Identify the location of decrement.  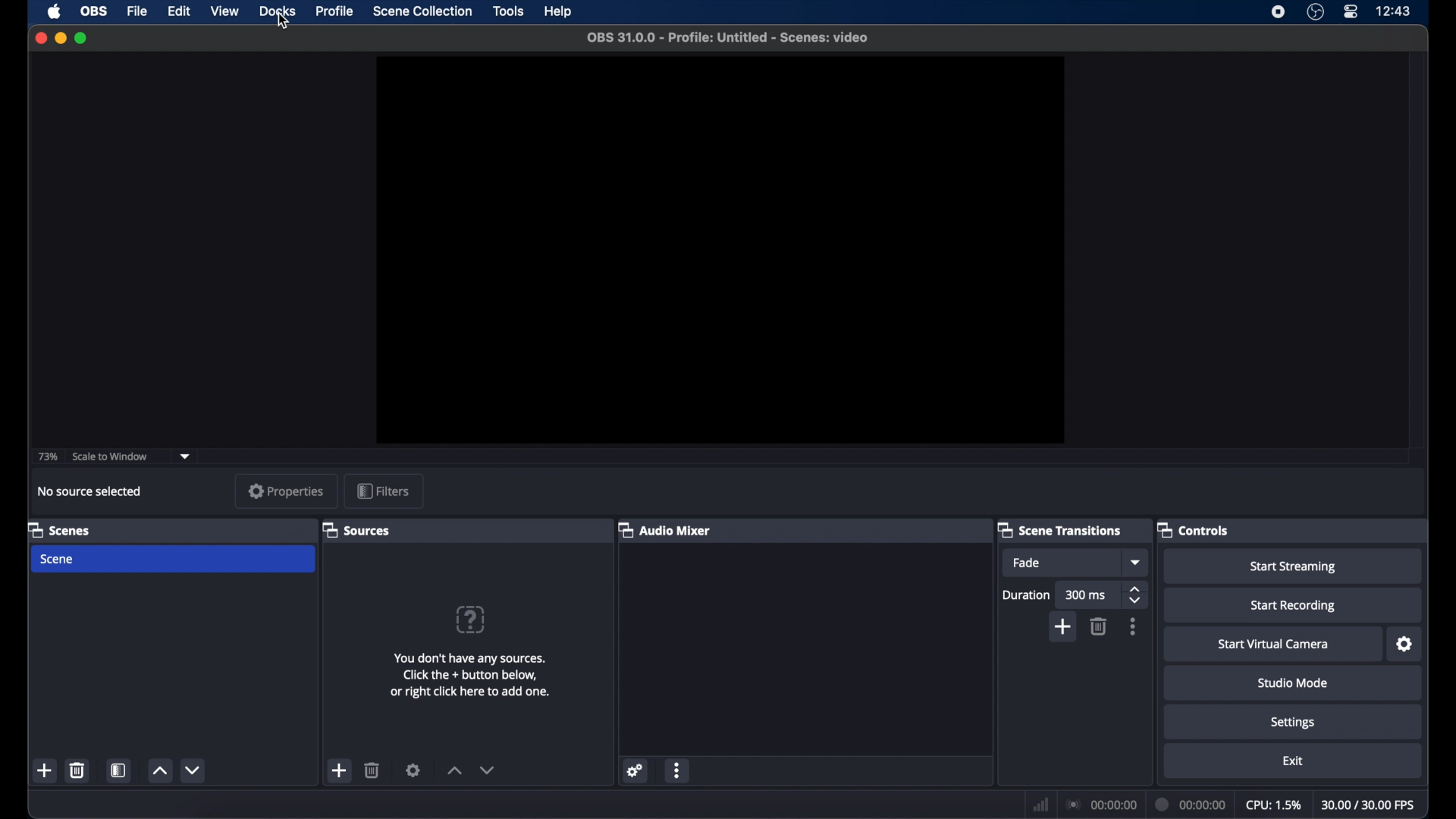
(488, 770).